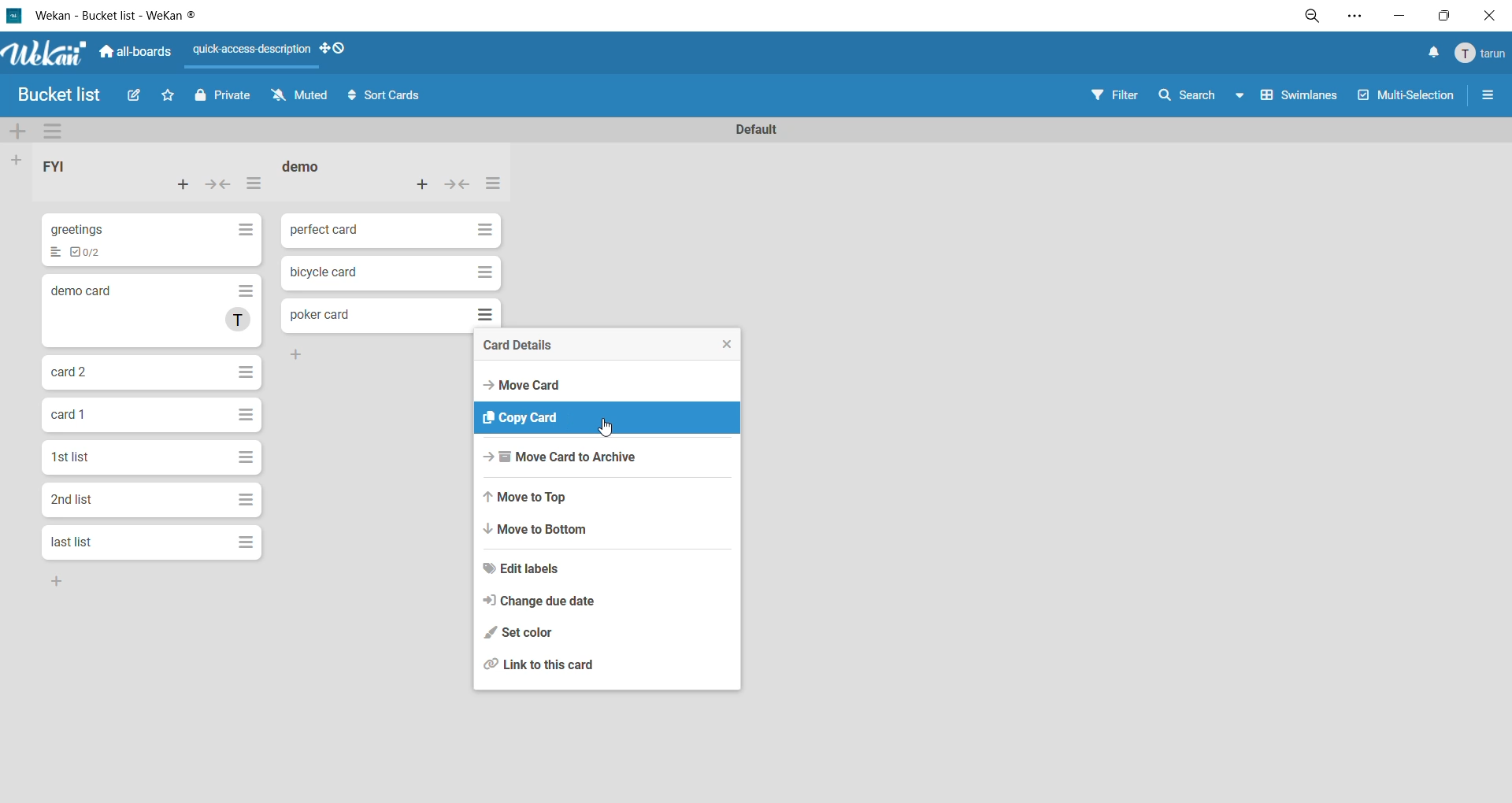  What do you see at coordinates (339, 50) in the screenshot?
I see `show desktop drag handles` at bounding box center [339, 50].